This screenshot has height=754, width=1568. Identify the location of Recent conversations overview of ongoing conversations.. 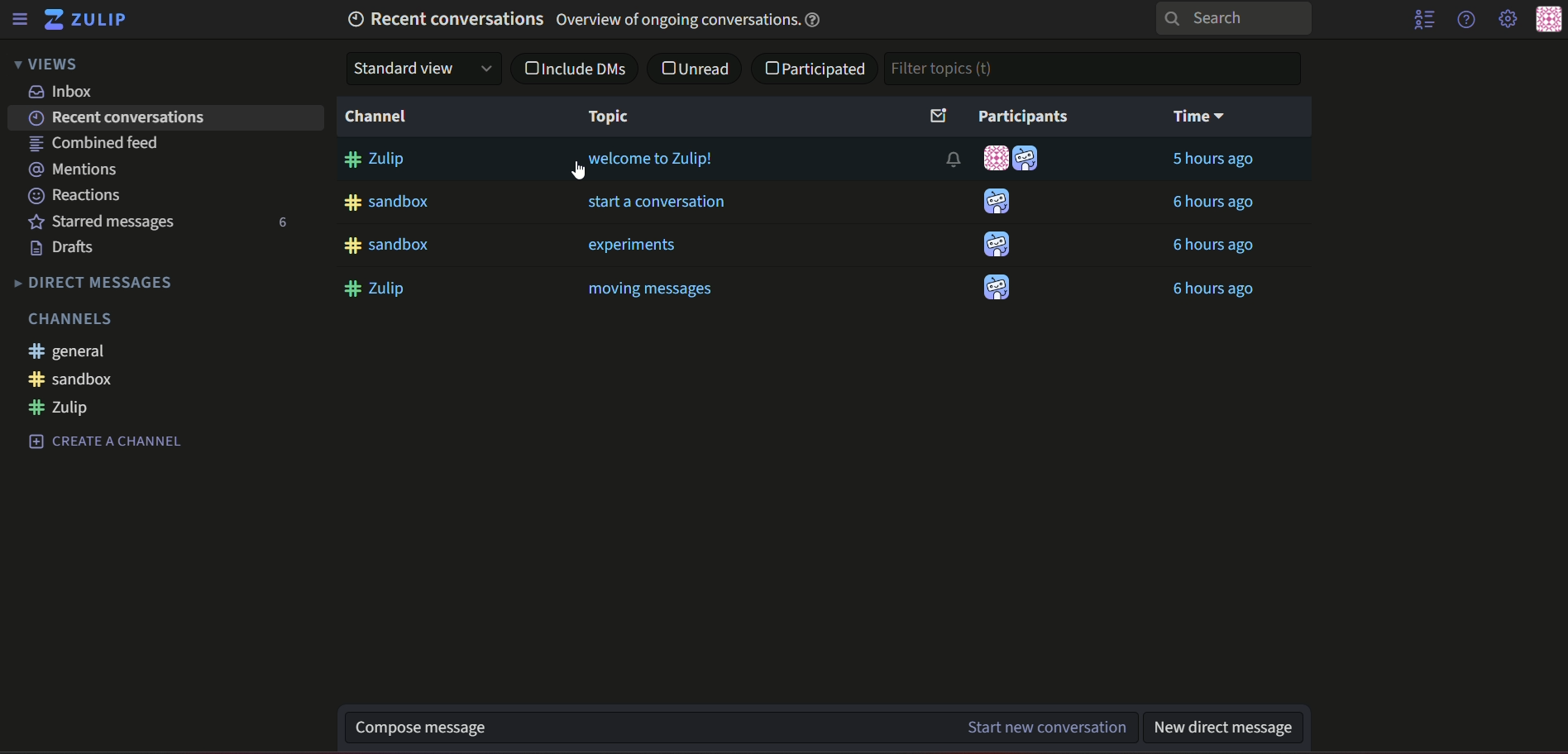
(591, 19).